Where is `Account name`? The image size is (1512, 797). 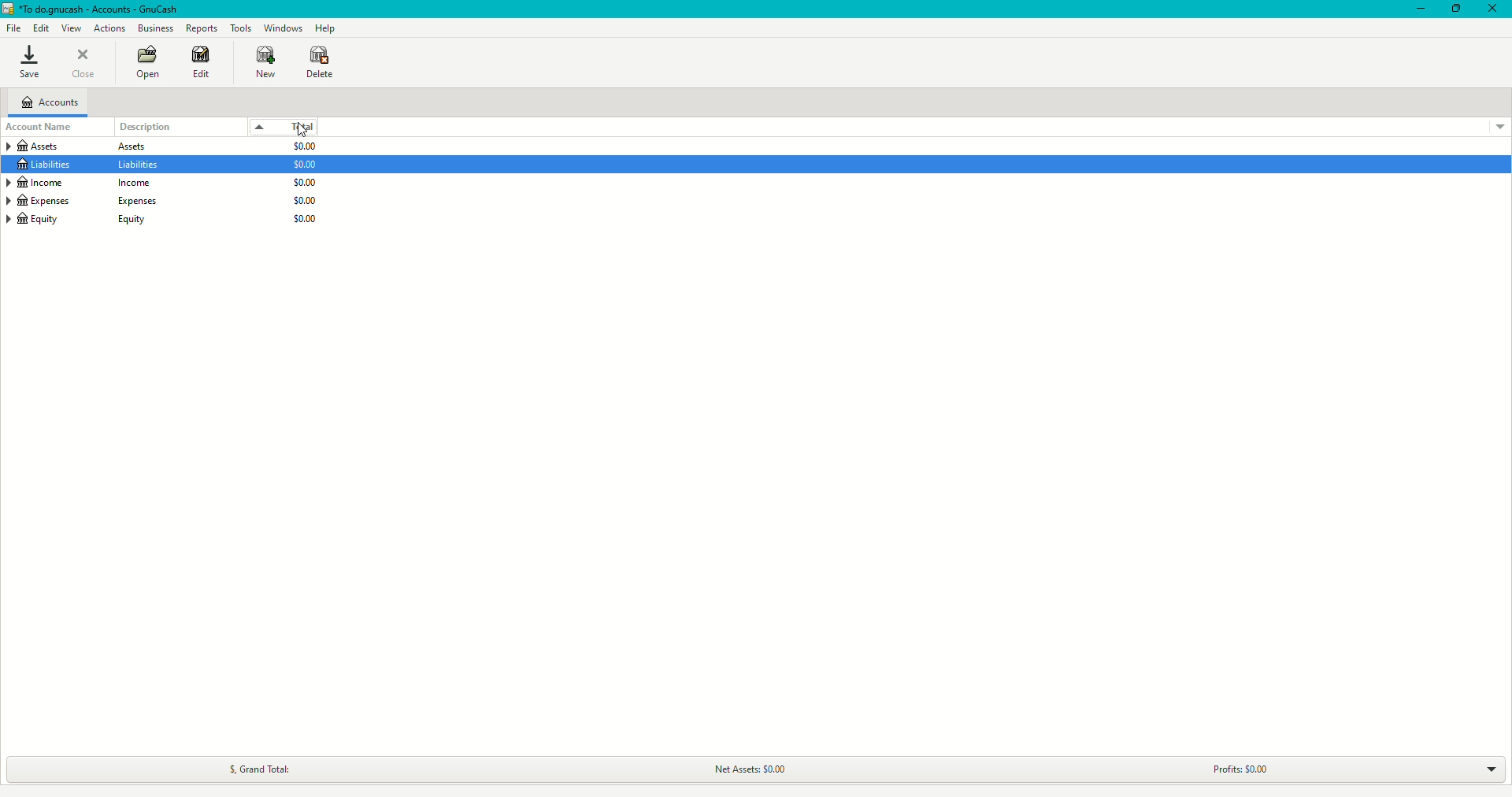 Account name is located at coordinates (57, 128).